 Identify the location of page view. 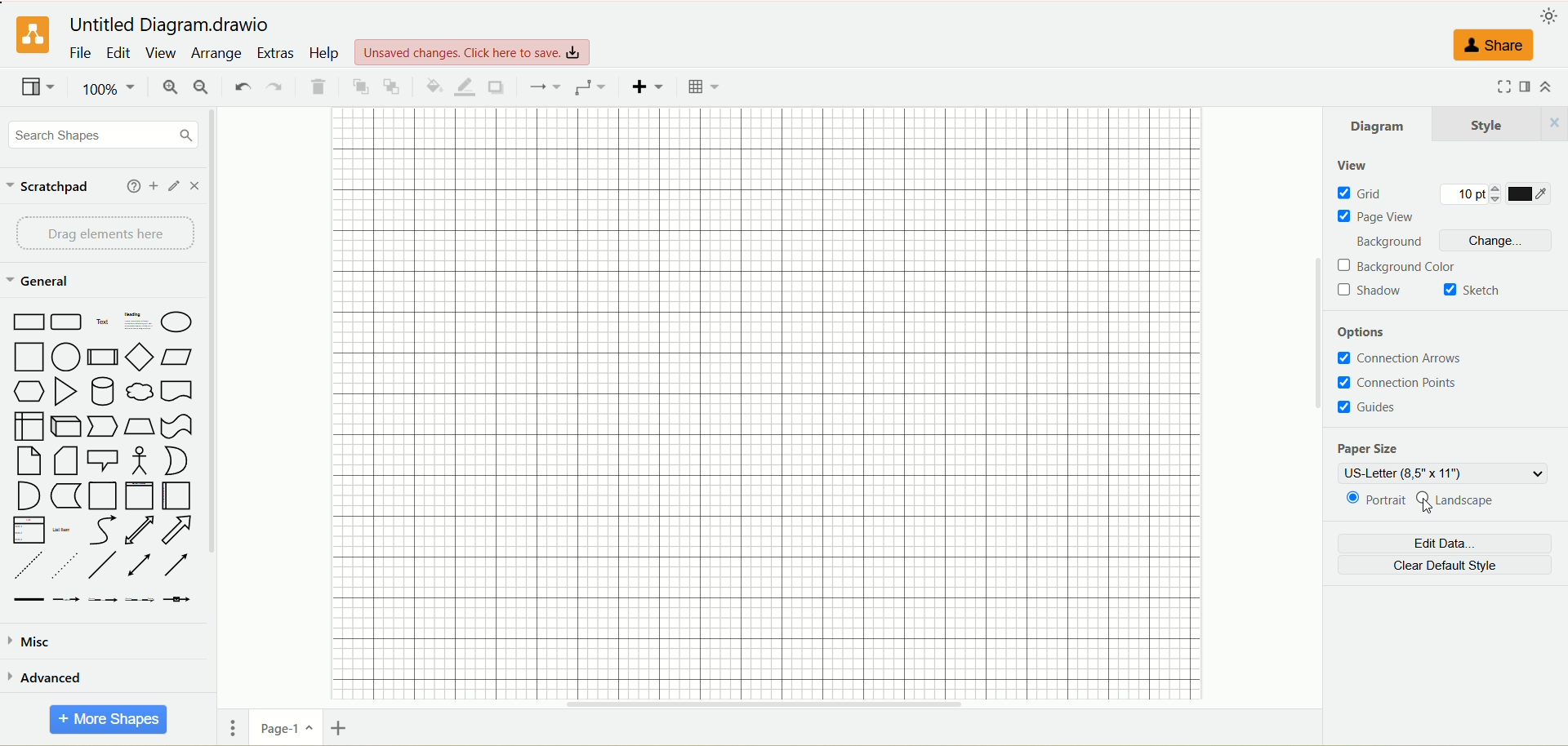
(1374, 216).